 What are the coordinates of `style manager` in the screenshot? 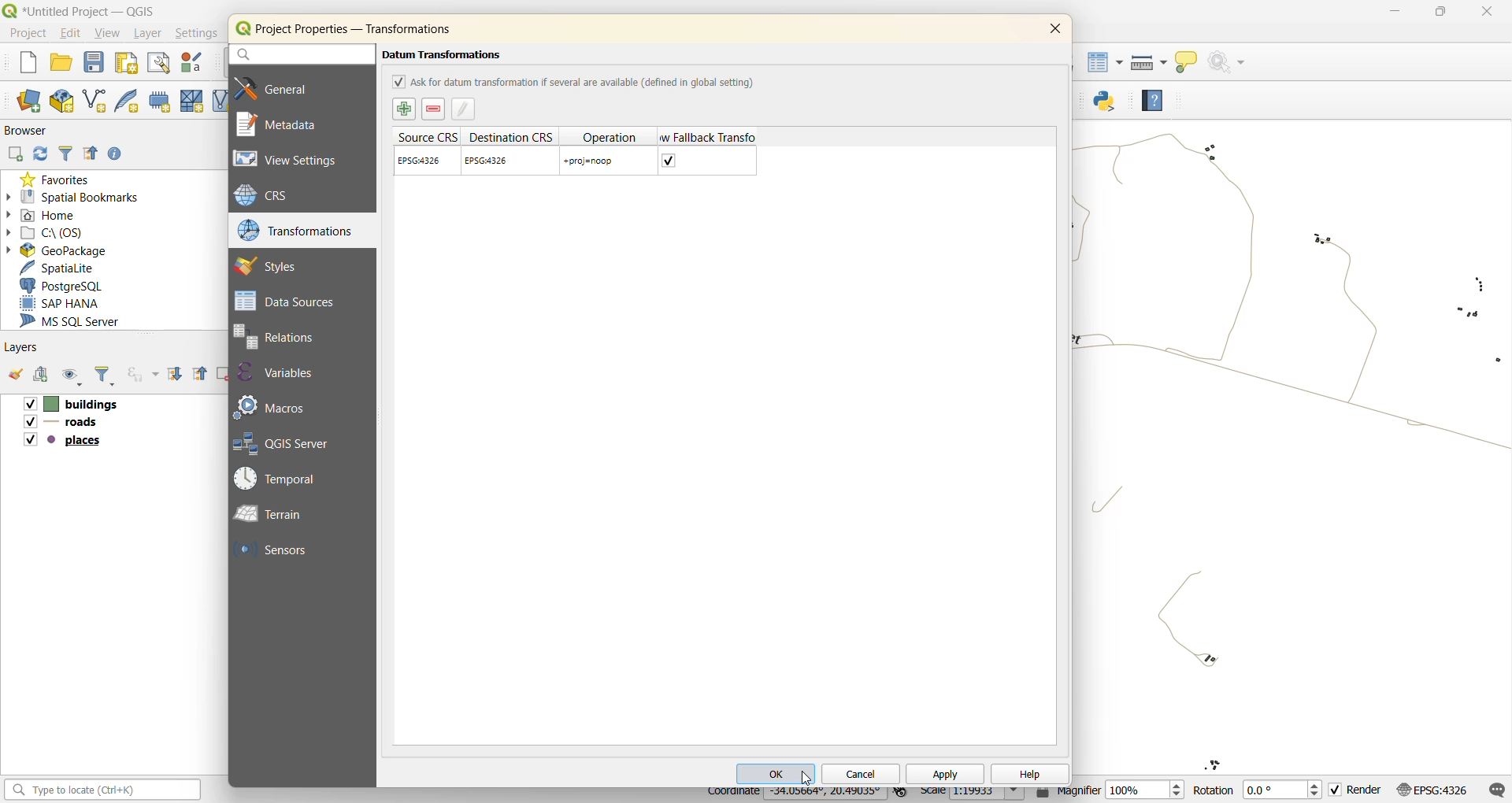 It's located at (192, 62).